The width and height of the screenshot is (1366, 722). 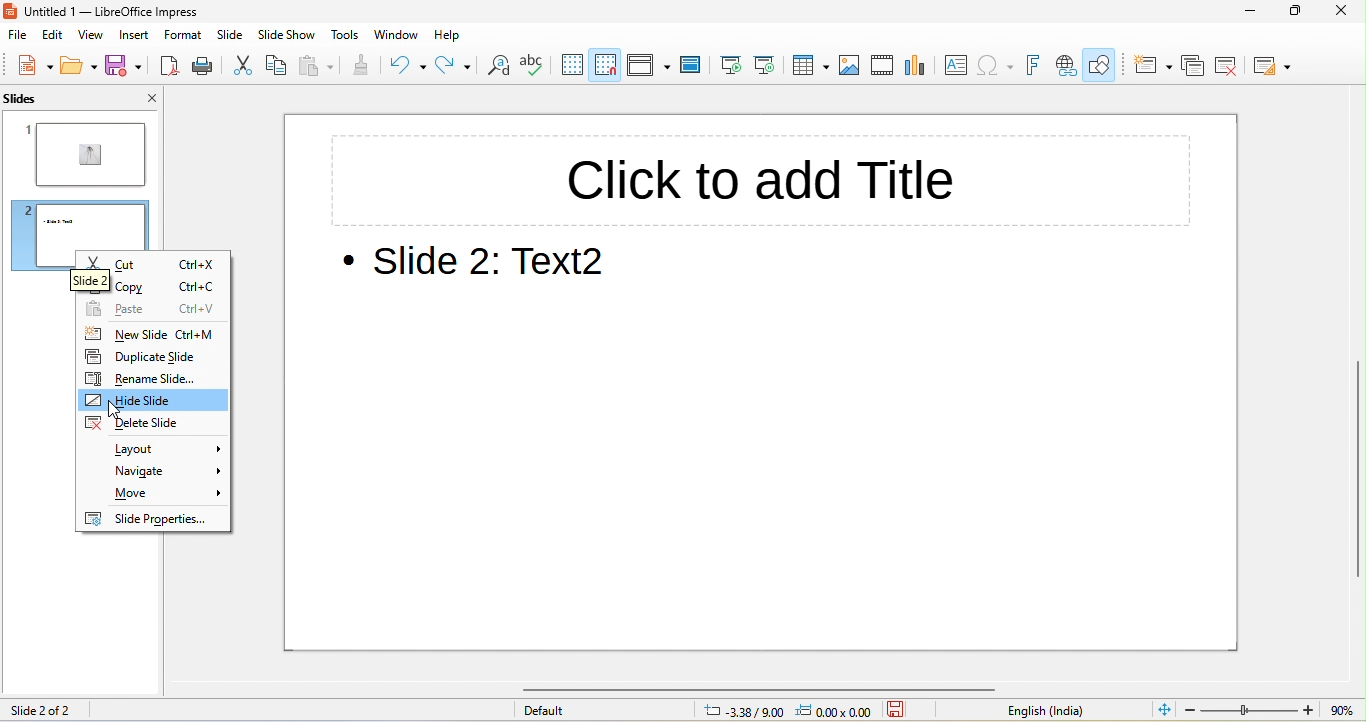 I want to click on copy, so click(x=121, y=289).